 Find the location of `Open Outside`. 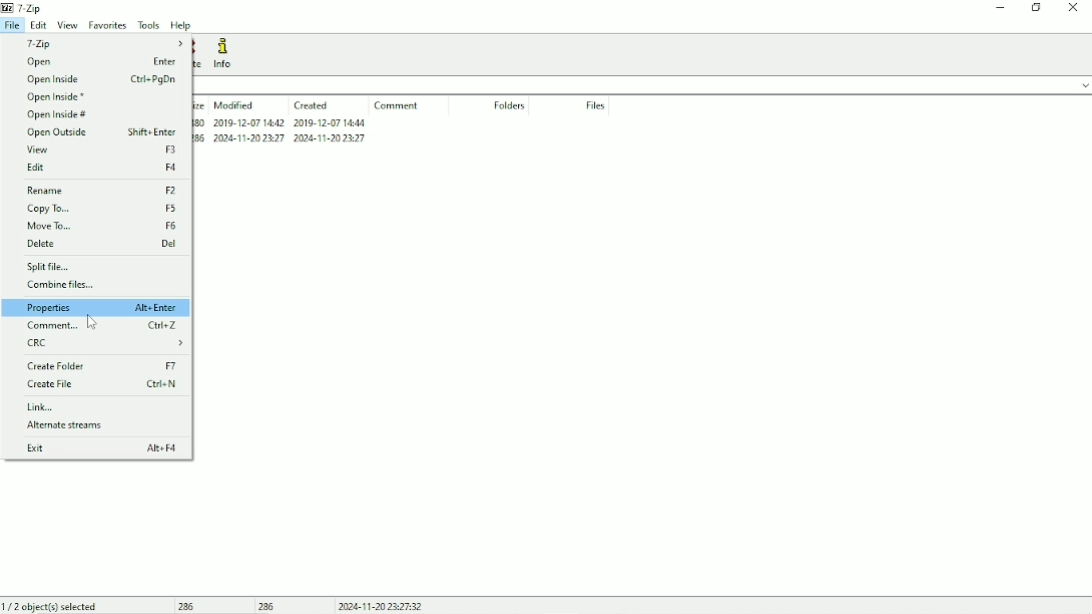

Open Outside is located at coordinates (101, 133).